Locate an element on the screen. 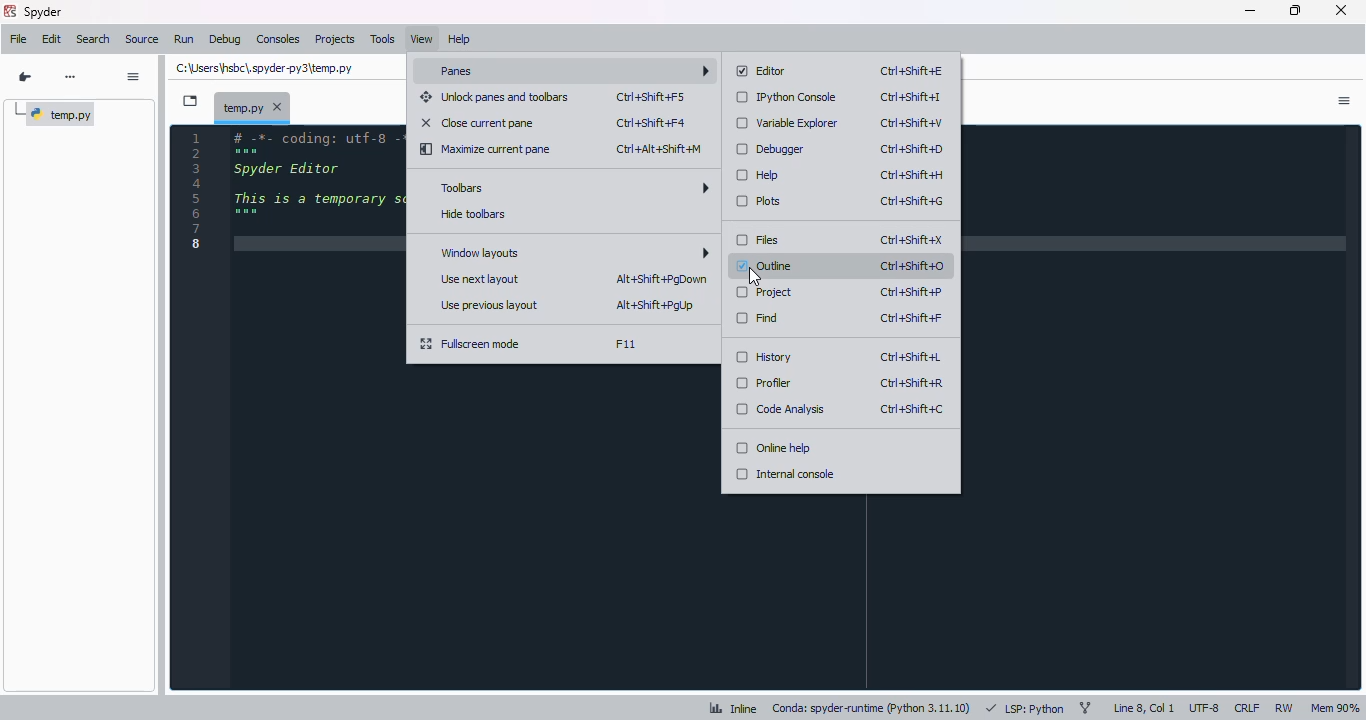 The image size is (1366, 720). editor is located at coordinates (316, 406).